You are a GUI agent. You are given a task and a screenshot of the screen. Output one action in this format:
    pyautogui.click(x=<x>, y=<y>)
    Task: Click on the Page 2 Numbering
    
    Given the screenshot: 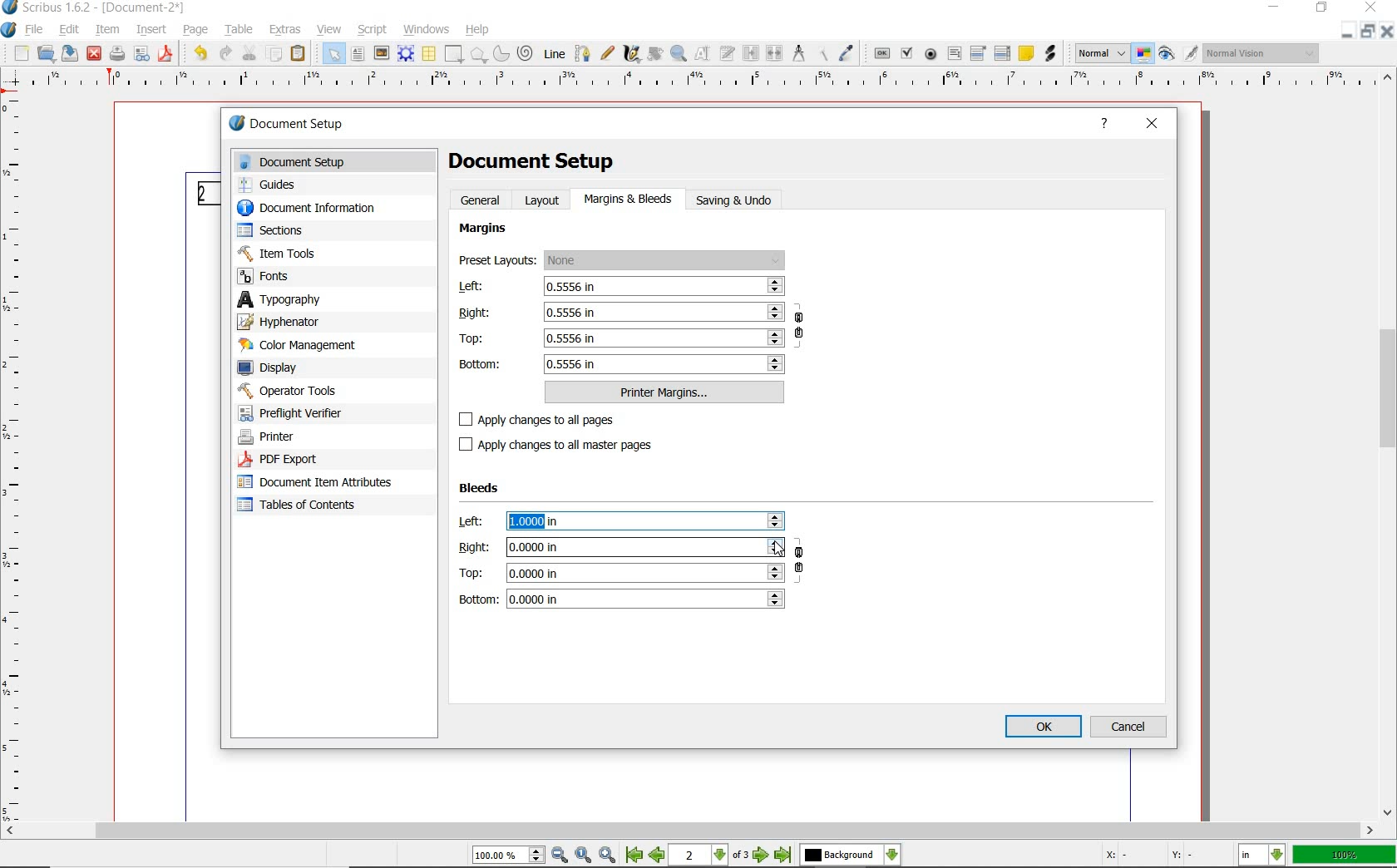 What is the action you would take?
    pyautogui.click(x=206, y=194)
    